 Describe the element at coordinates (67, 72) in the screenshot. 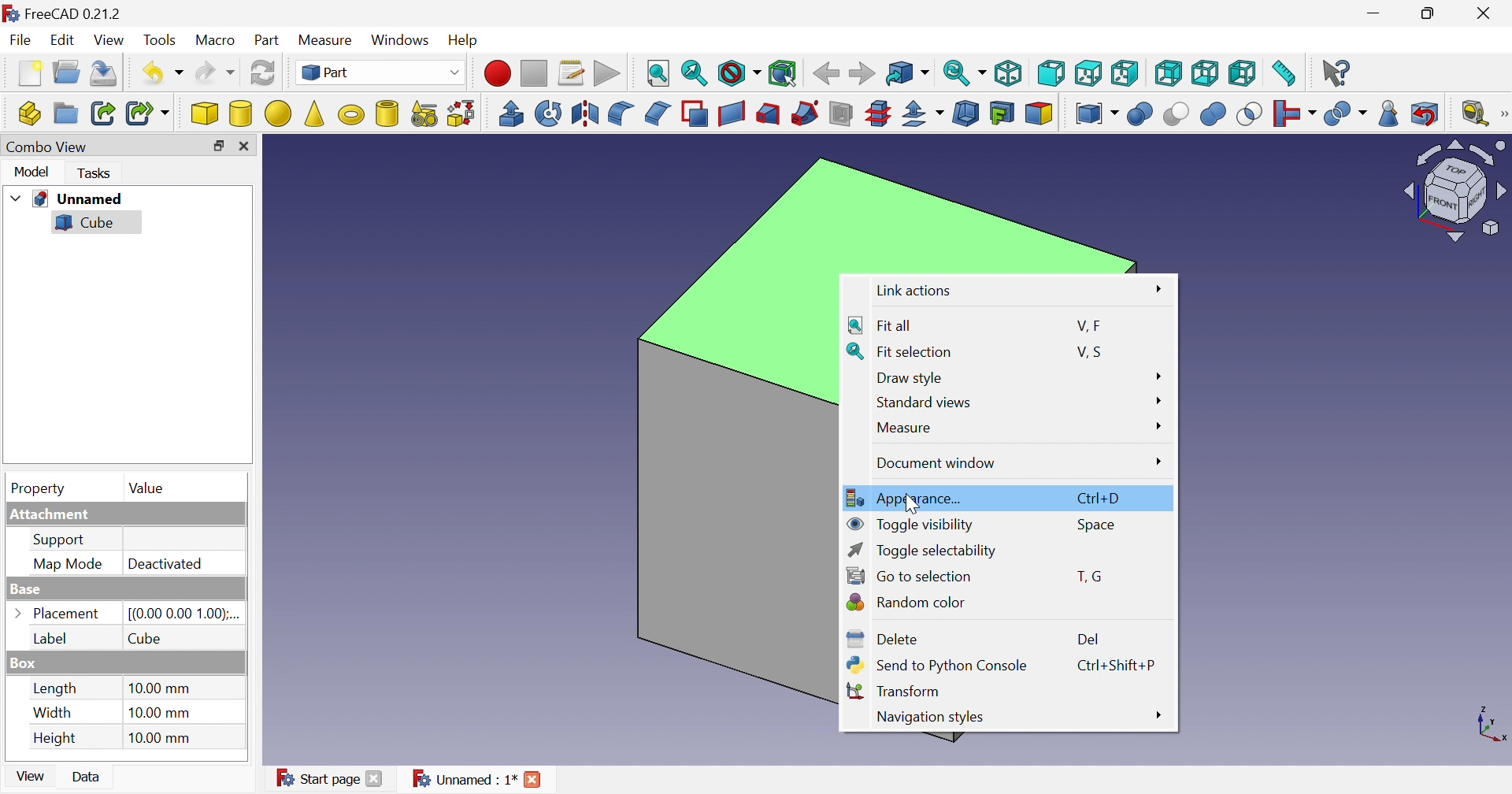

I see `Open` at that location.